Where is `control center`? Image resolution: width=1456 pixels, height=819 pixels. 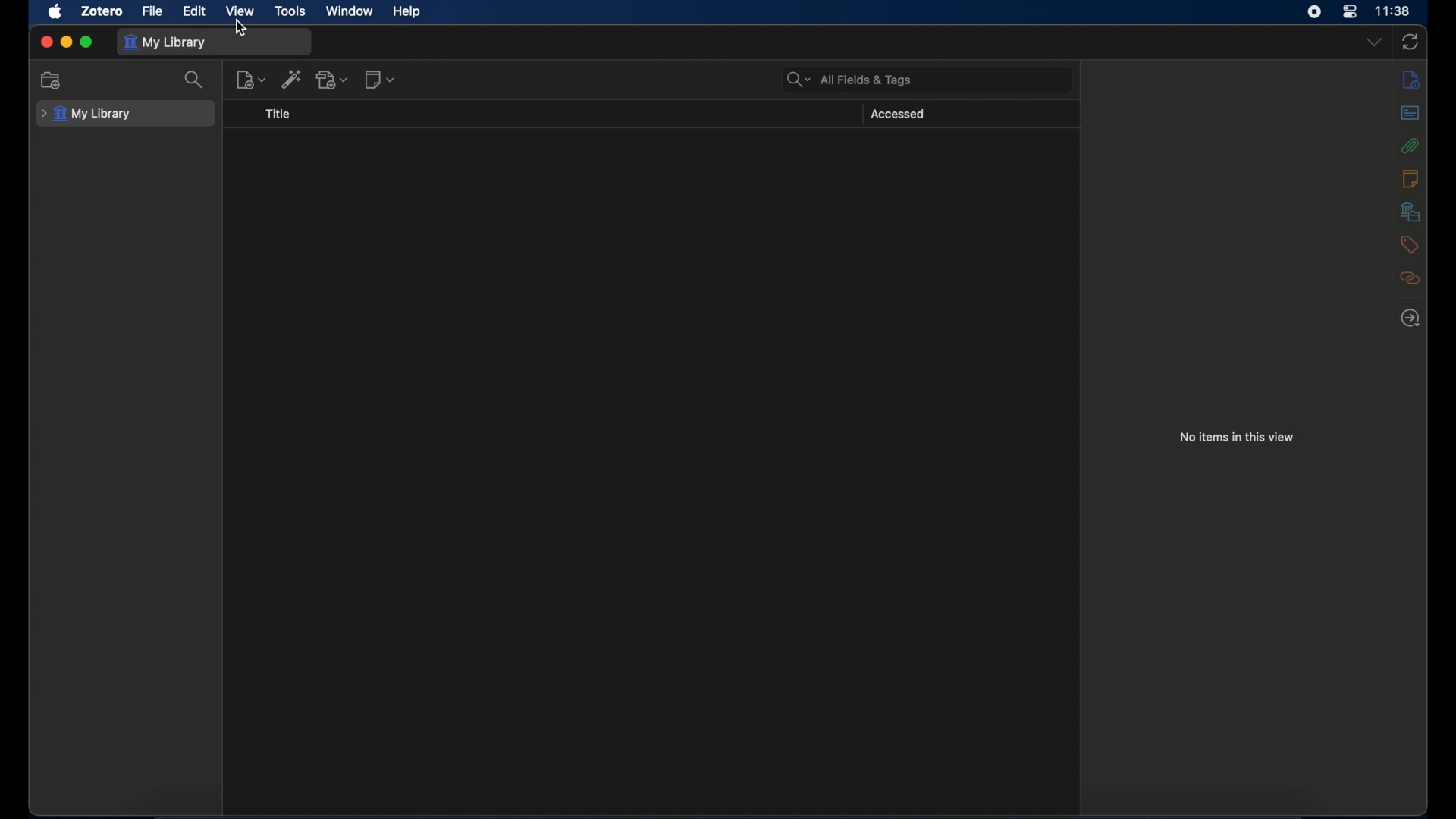 control center is located at coordinates (1350, 11).